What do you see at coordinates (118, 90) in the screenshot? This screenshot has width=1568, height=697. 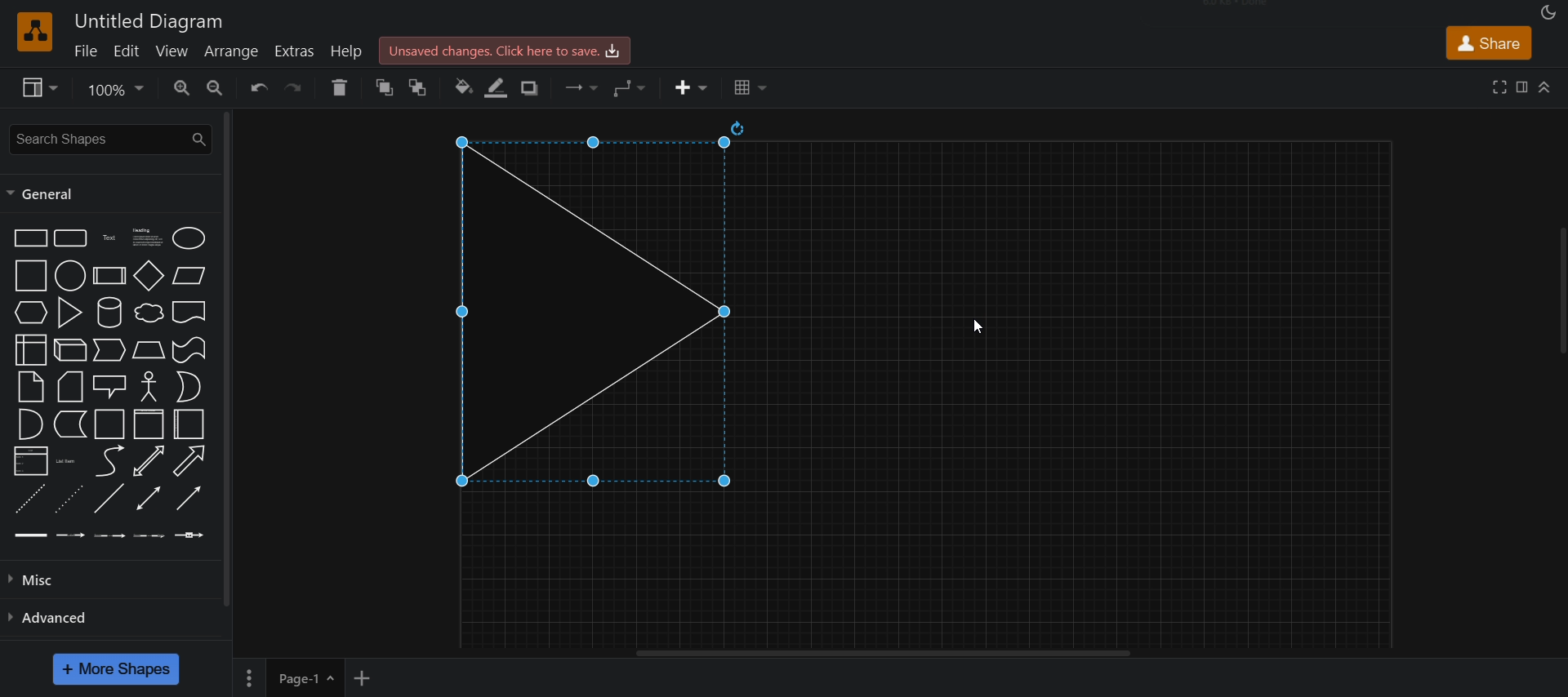 I see `zoom` at bounding box center [118, 90].